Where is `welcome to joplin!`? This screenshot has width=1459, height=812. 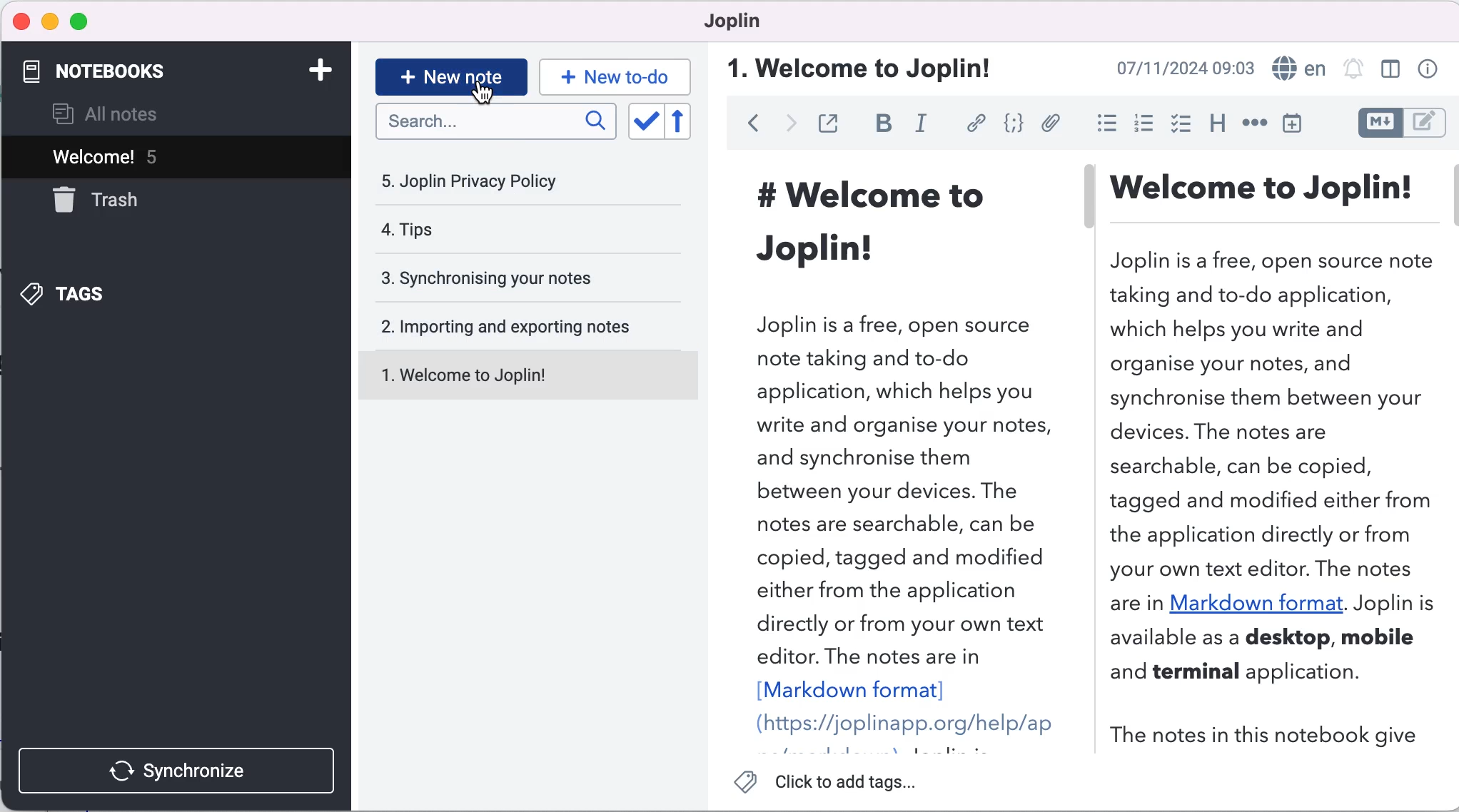
welcome to joplin! is located at coordinates (857, 68).